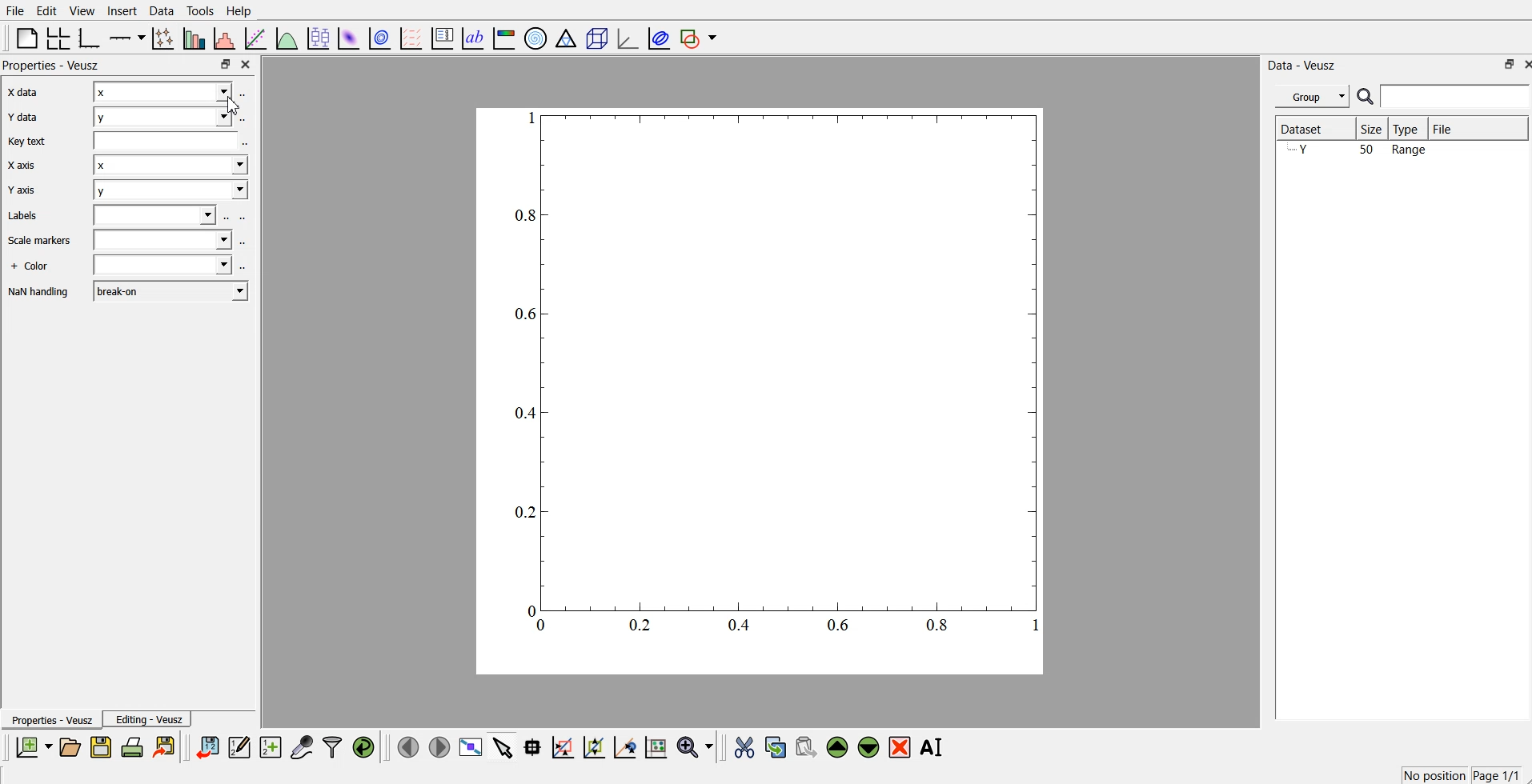 The width and height of the screenshot is (1532, 784). I want to click on move to previous page, so click(409, 746).